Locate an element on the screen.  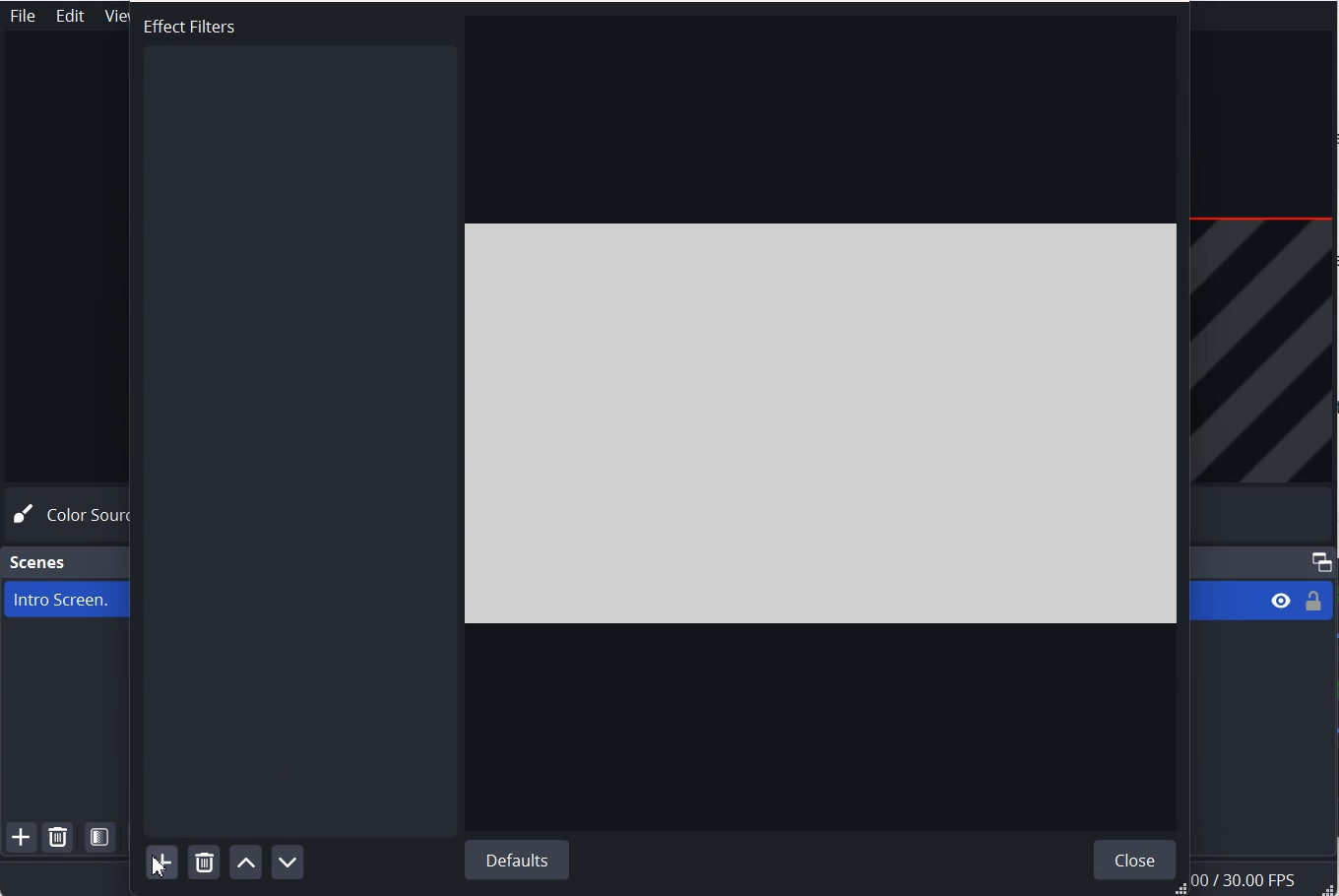
Remove Selected Scene is located at coordinates (60, 839).